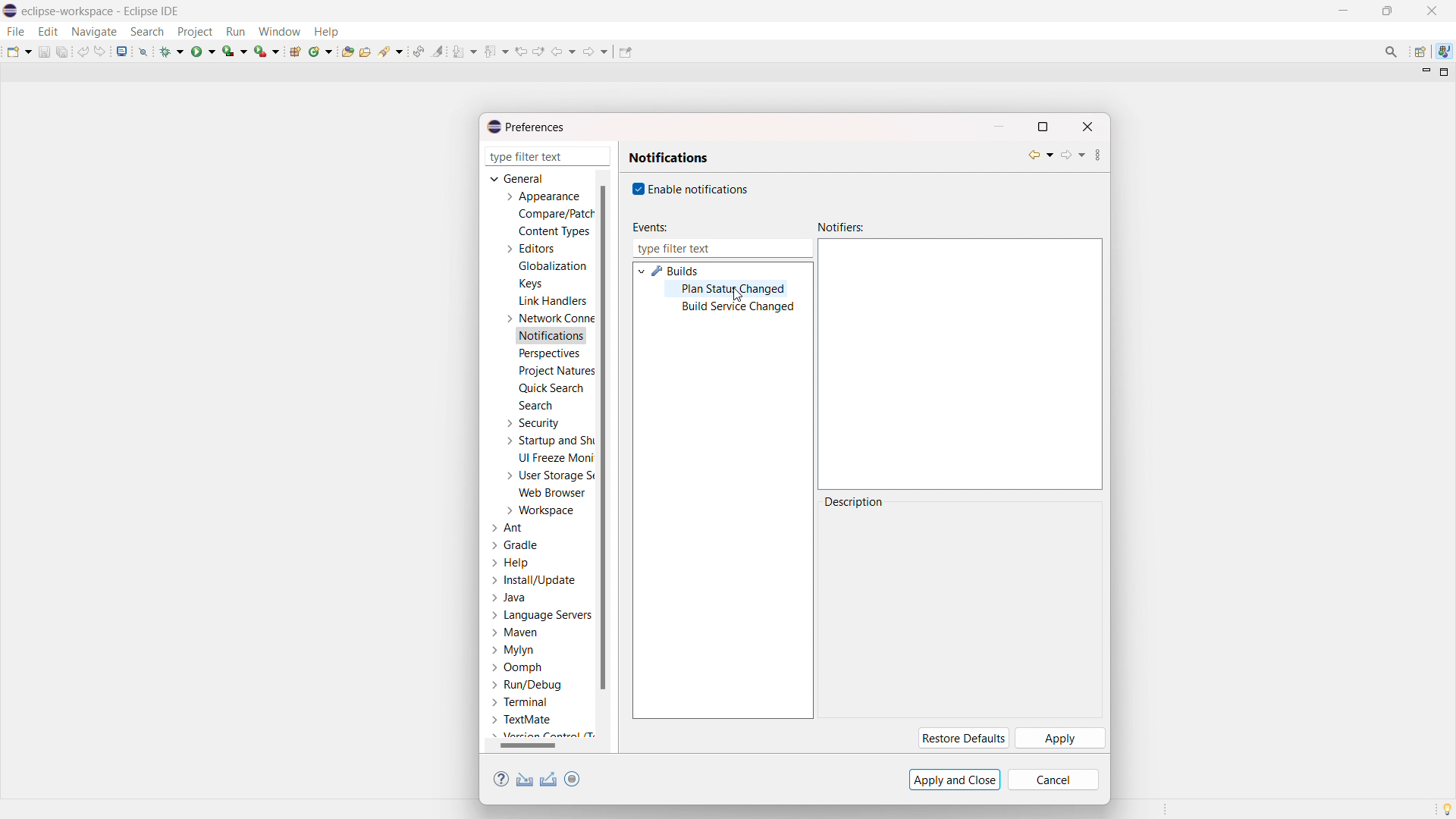  I want to click on import, so click(525, 780).